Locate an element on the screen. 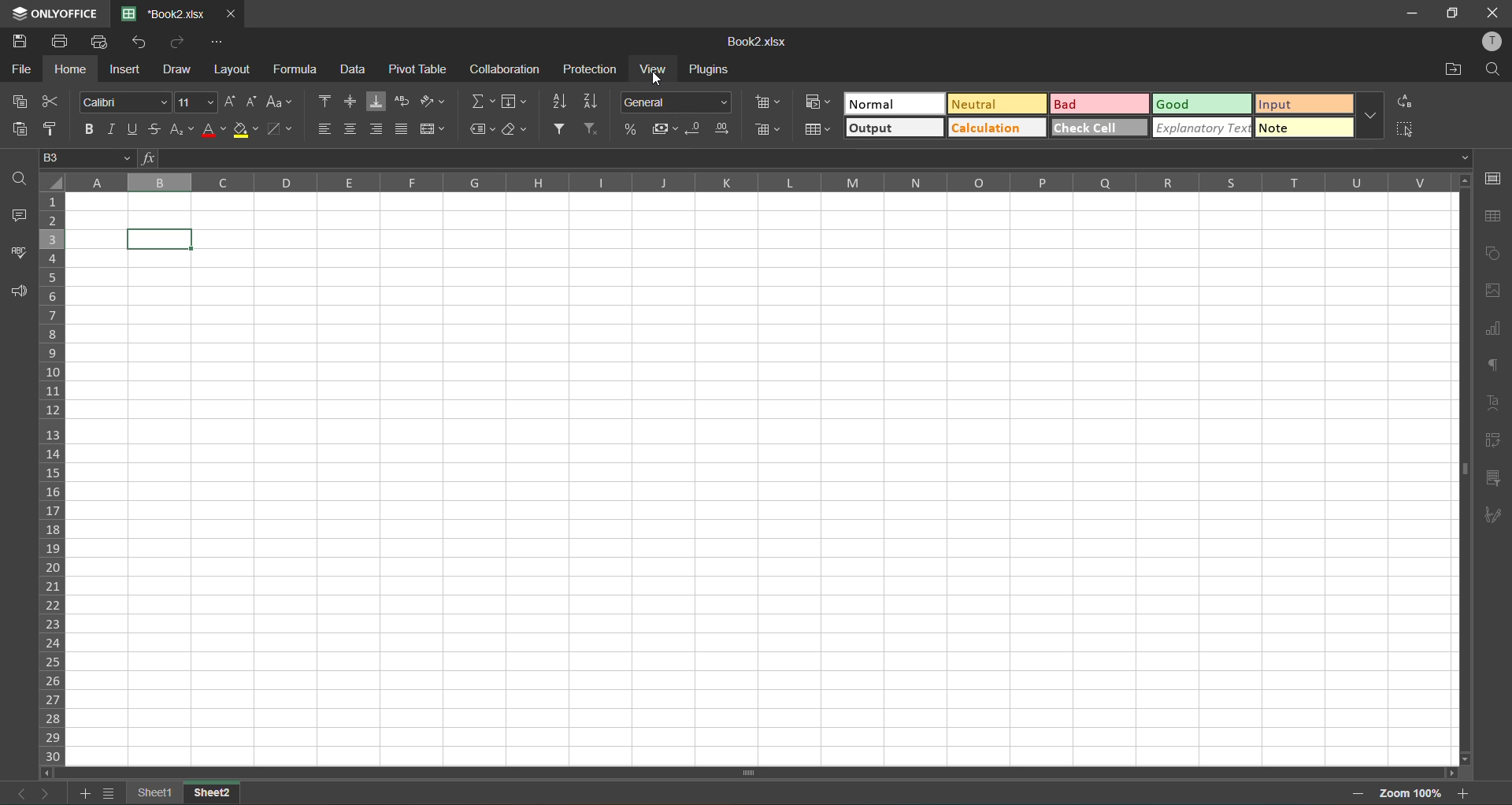  protection is located at coordinates (591, 69).